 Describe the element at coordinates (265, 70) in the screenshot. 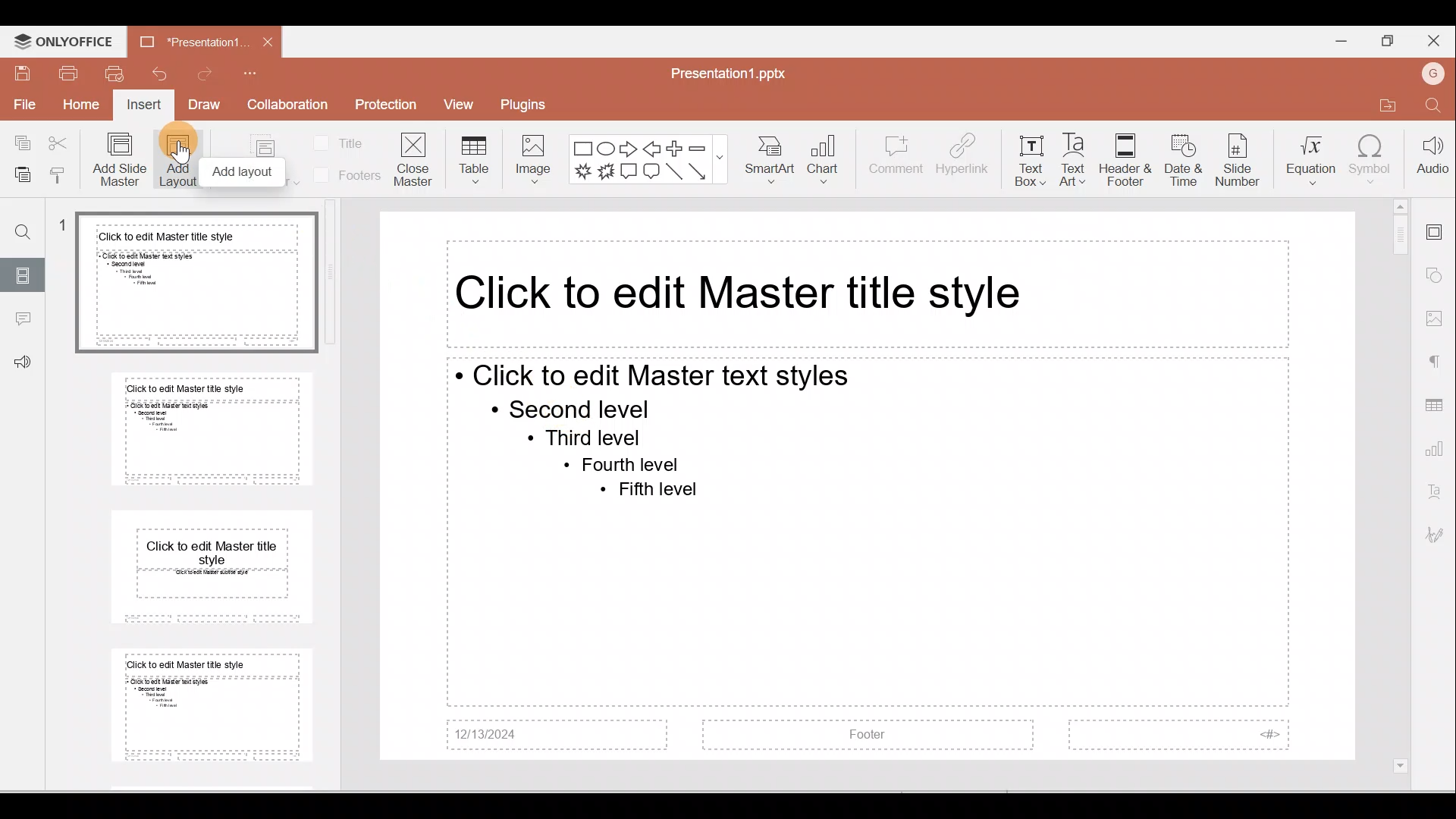

I see `Customise quick access toolbar` at that location.